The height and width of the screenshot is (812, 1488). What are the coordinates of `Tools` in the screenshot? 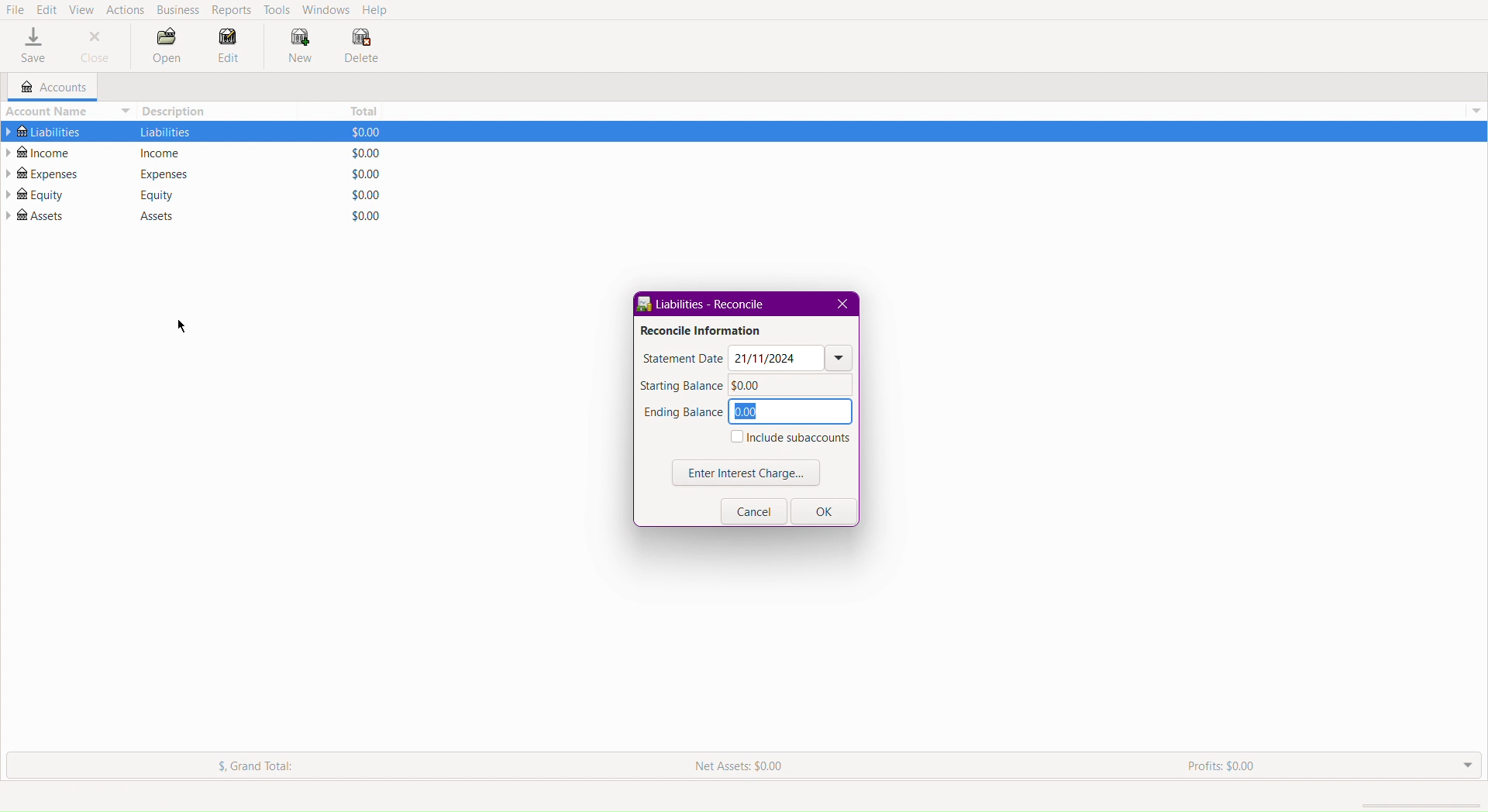 It's located at (277, 9).